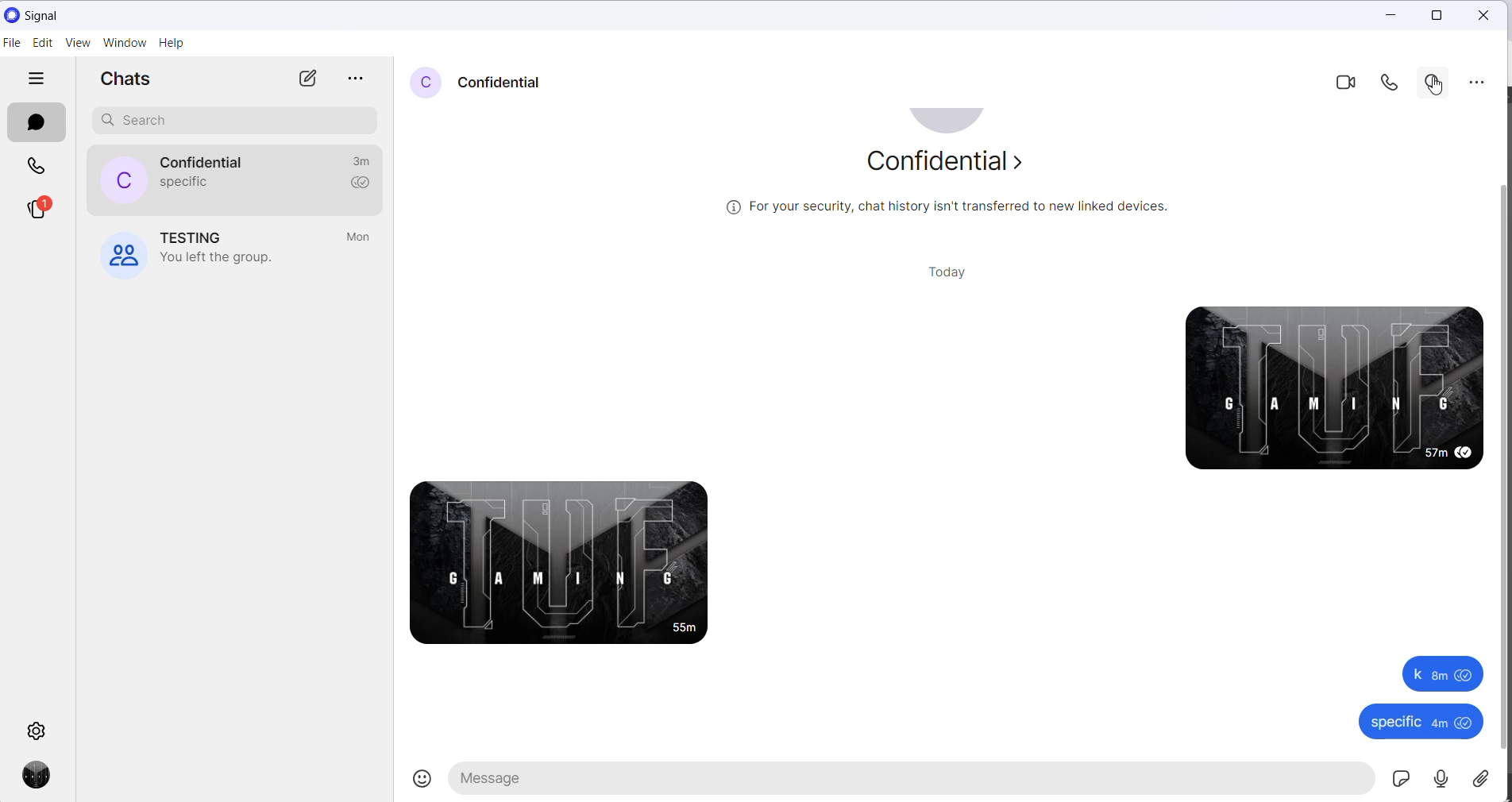 The image size is (1512, 802). I want to click on maximize, so click(1439, 16).